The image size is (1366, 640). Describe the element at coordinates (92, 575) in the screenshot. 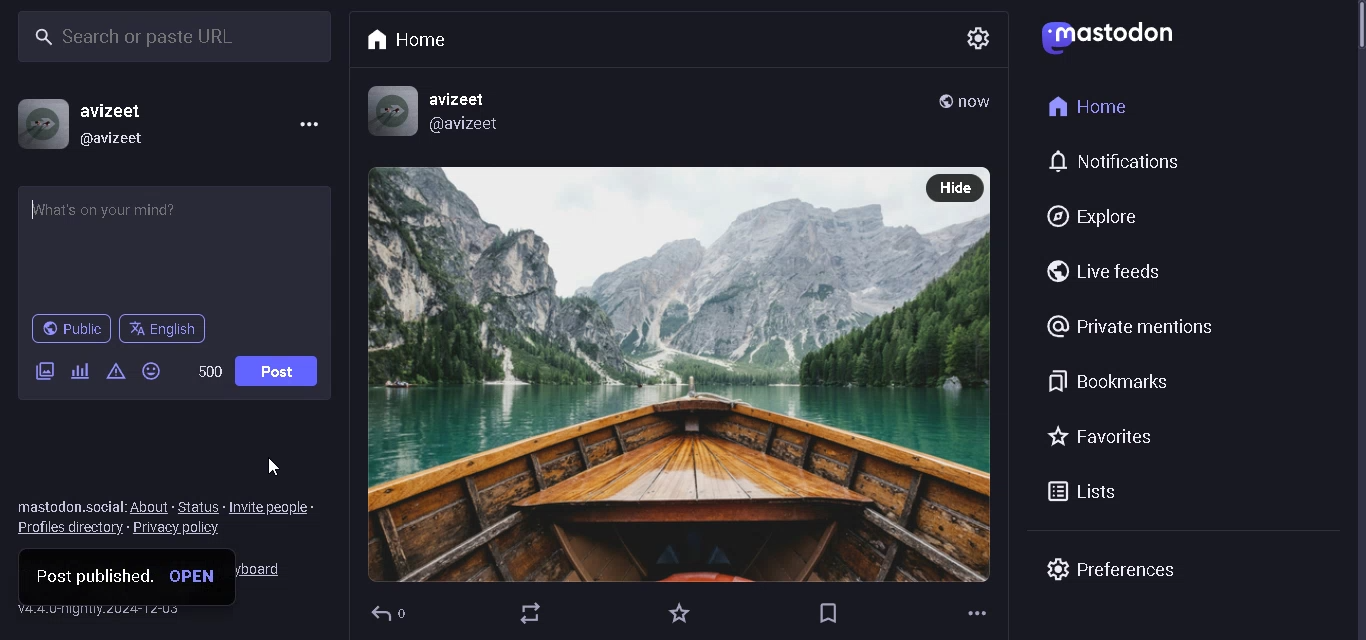

I see `post published` at that location.